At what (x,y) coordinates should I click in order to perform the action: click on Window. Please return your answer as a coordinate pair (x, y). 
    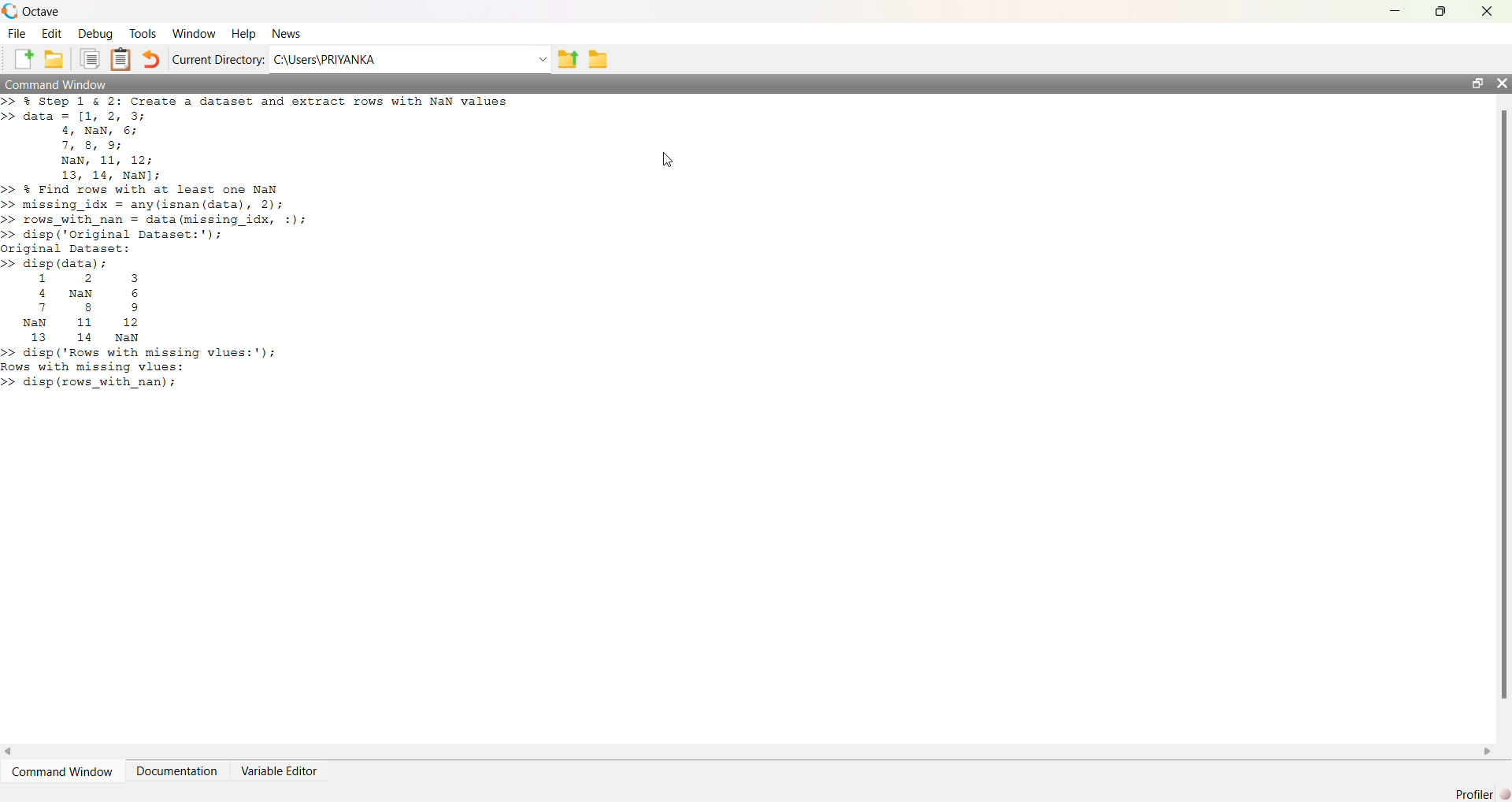
    Looking at the image, I should click on (195, 34).